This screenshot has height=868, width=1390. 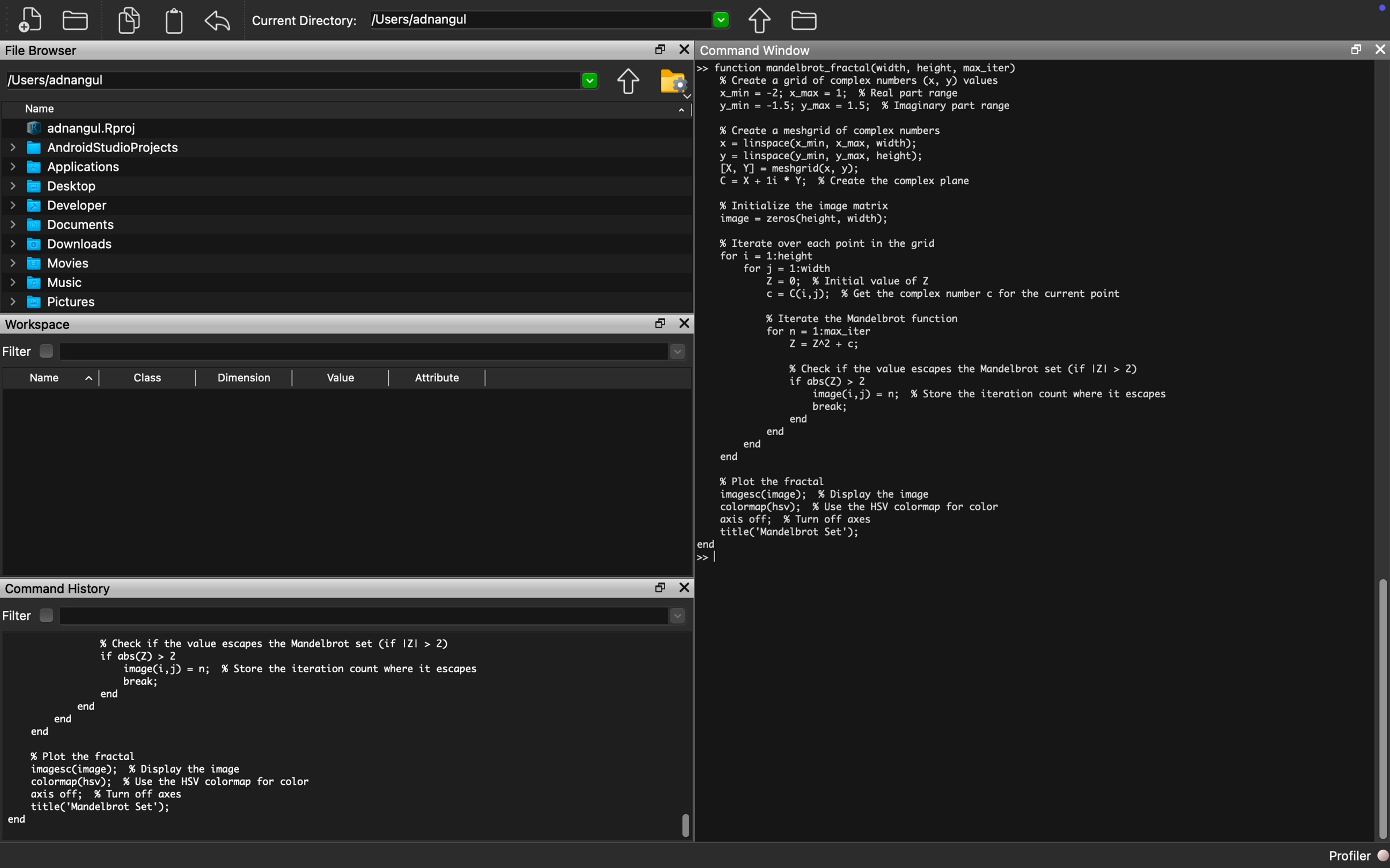 I want to click on Command History, so click(x=61, y=588).